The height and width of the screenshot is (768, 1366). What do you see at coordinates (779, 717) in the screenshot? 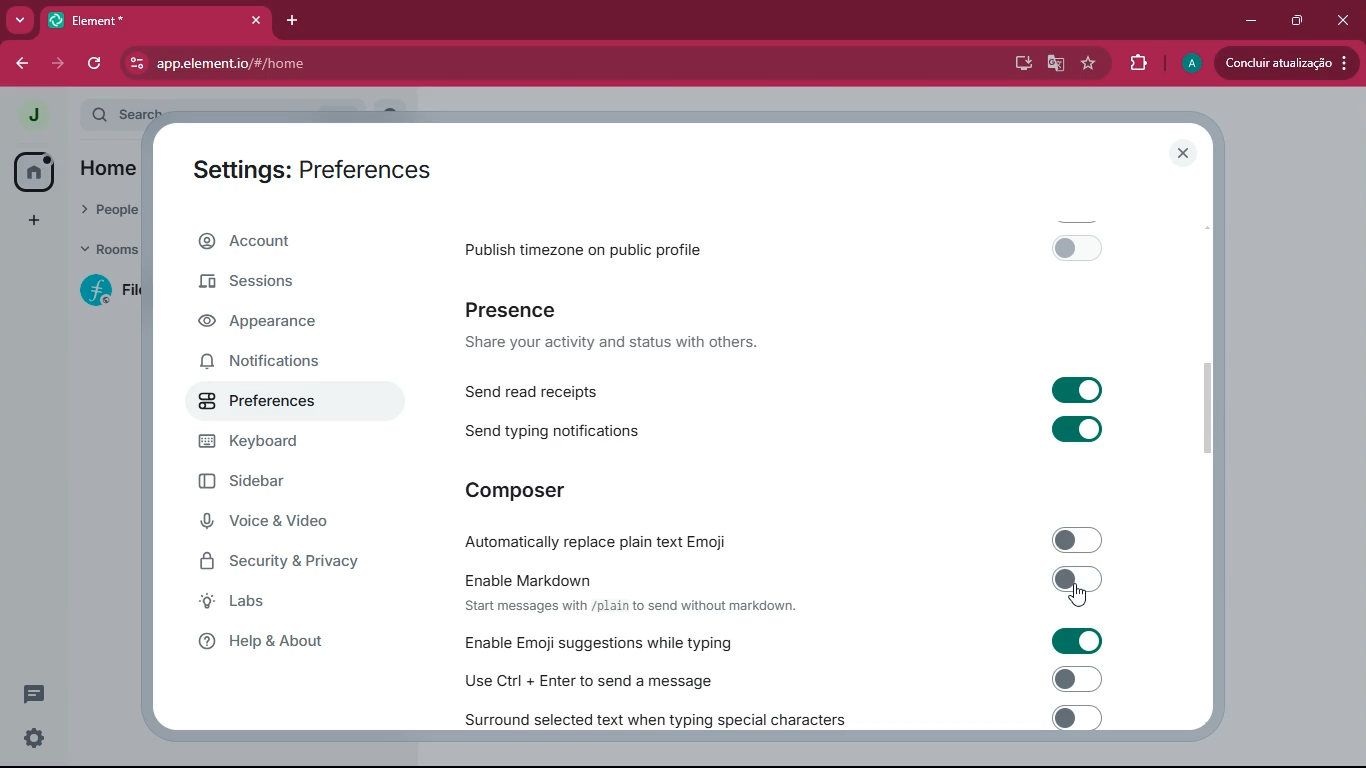
I see `surrond selected` at bounding box center [779, 717].